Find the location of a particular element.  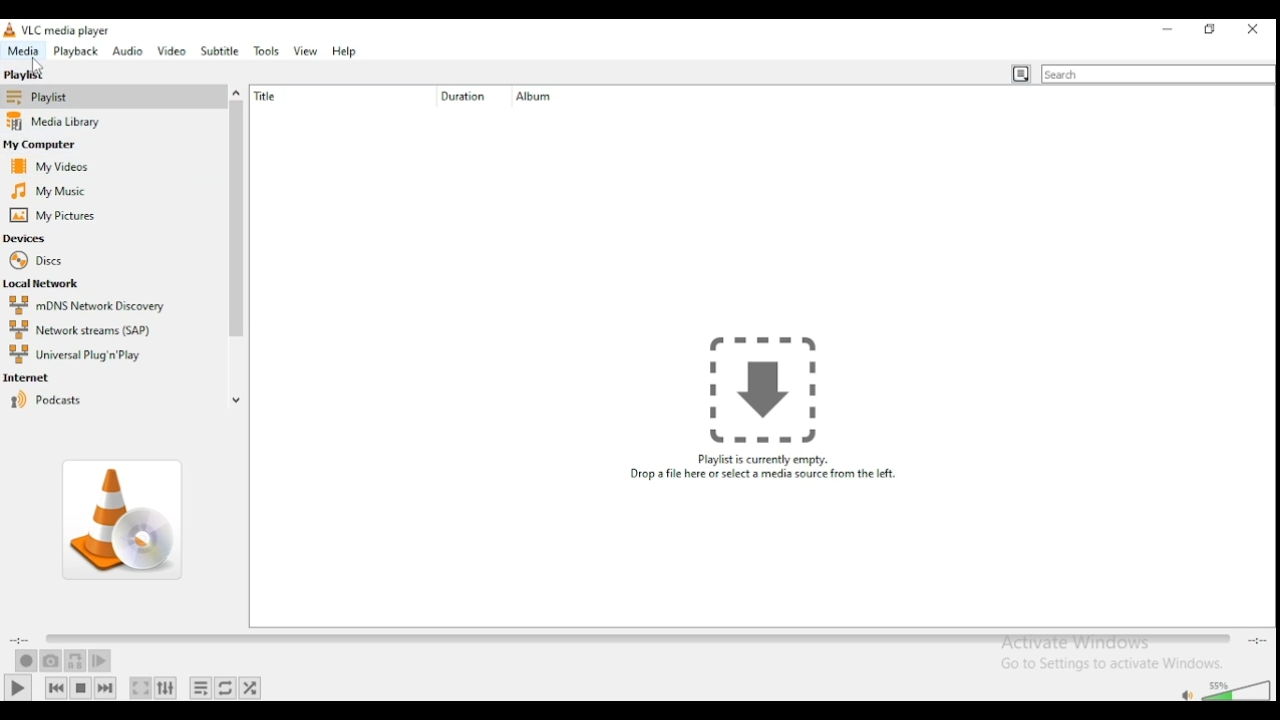

podcasts is located at coordinates (46, 402).